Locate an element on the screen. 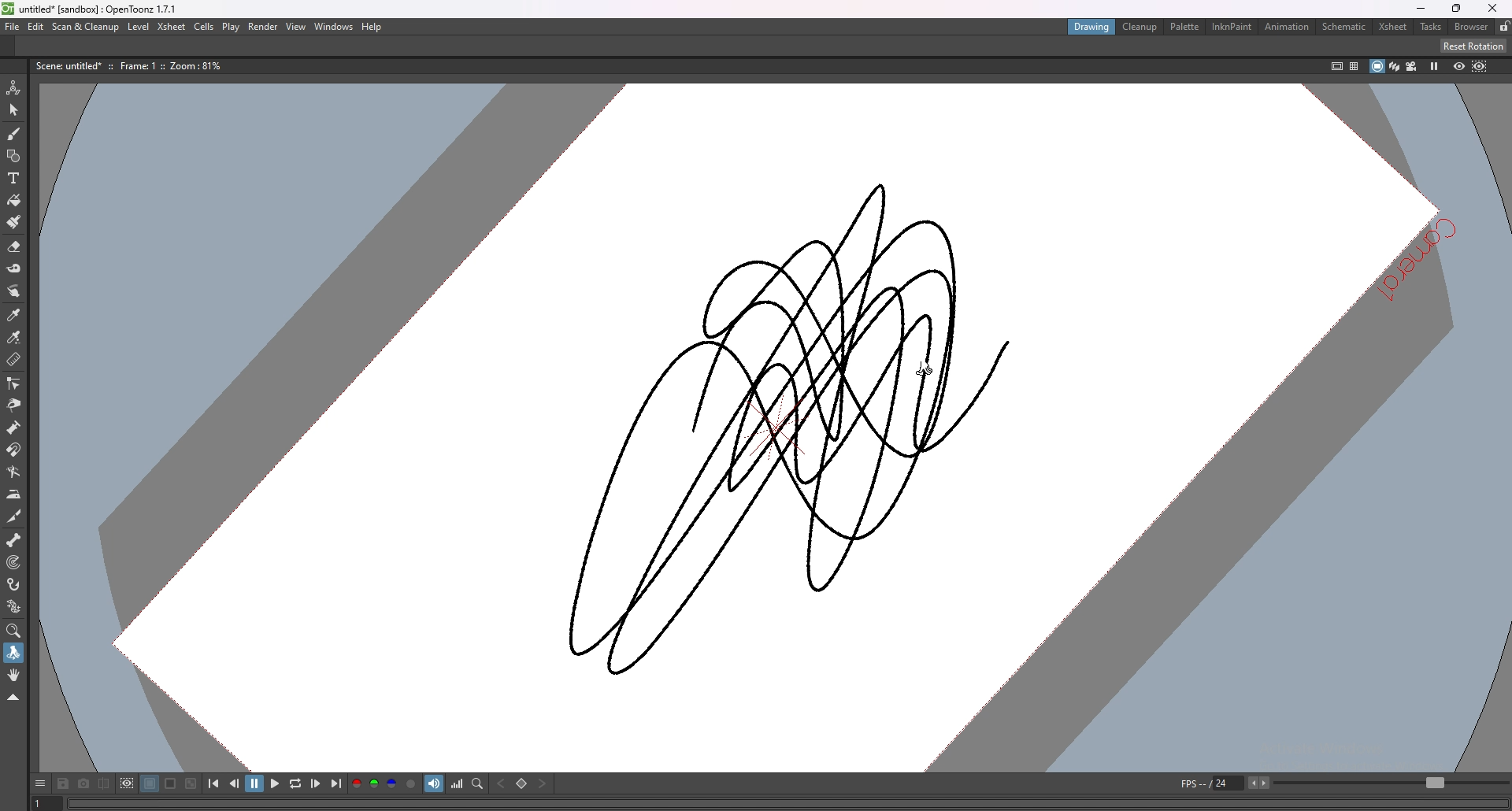  browser is located at coordinates (1472, 26).